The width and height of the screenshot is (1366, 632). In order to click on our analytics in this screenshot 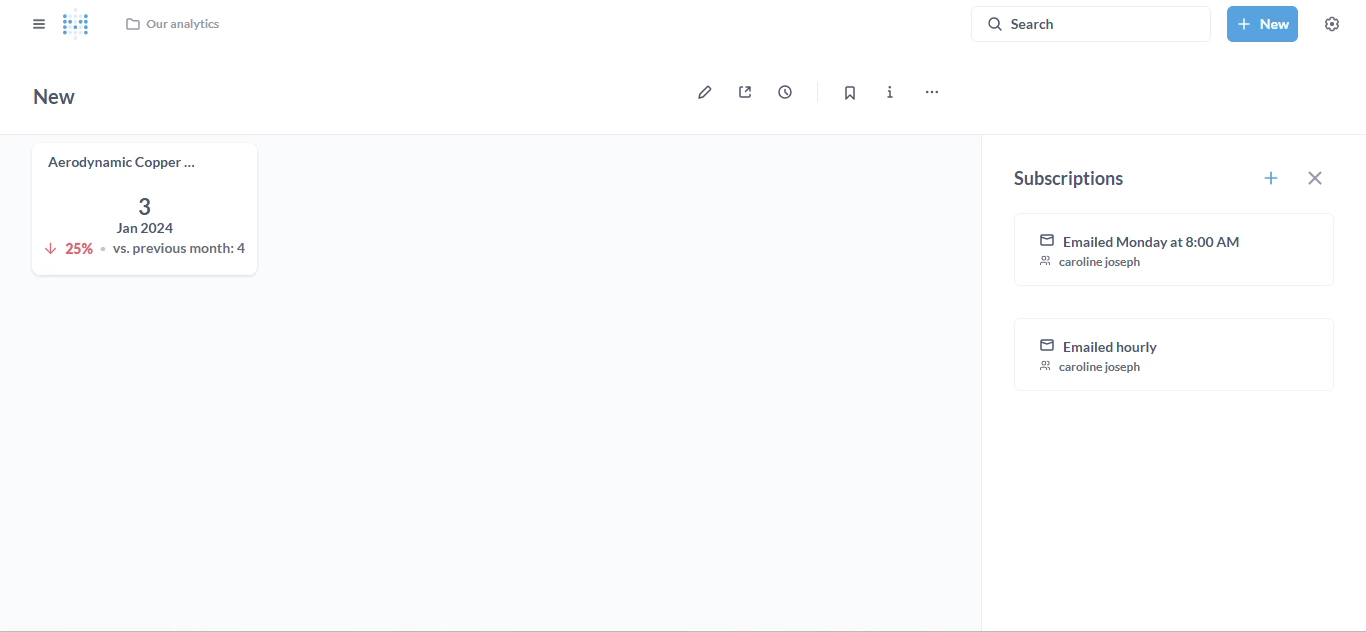, I will do `click(172, 24)`.